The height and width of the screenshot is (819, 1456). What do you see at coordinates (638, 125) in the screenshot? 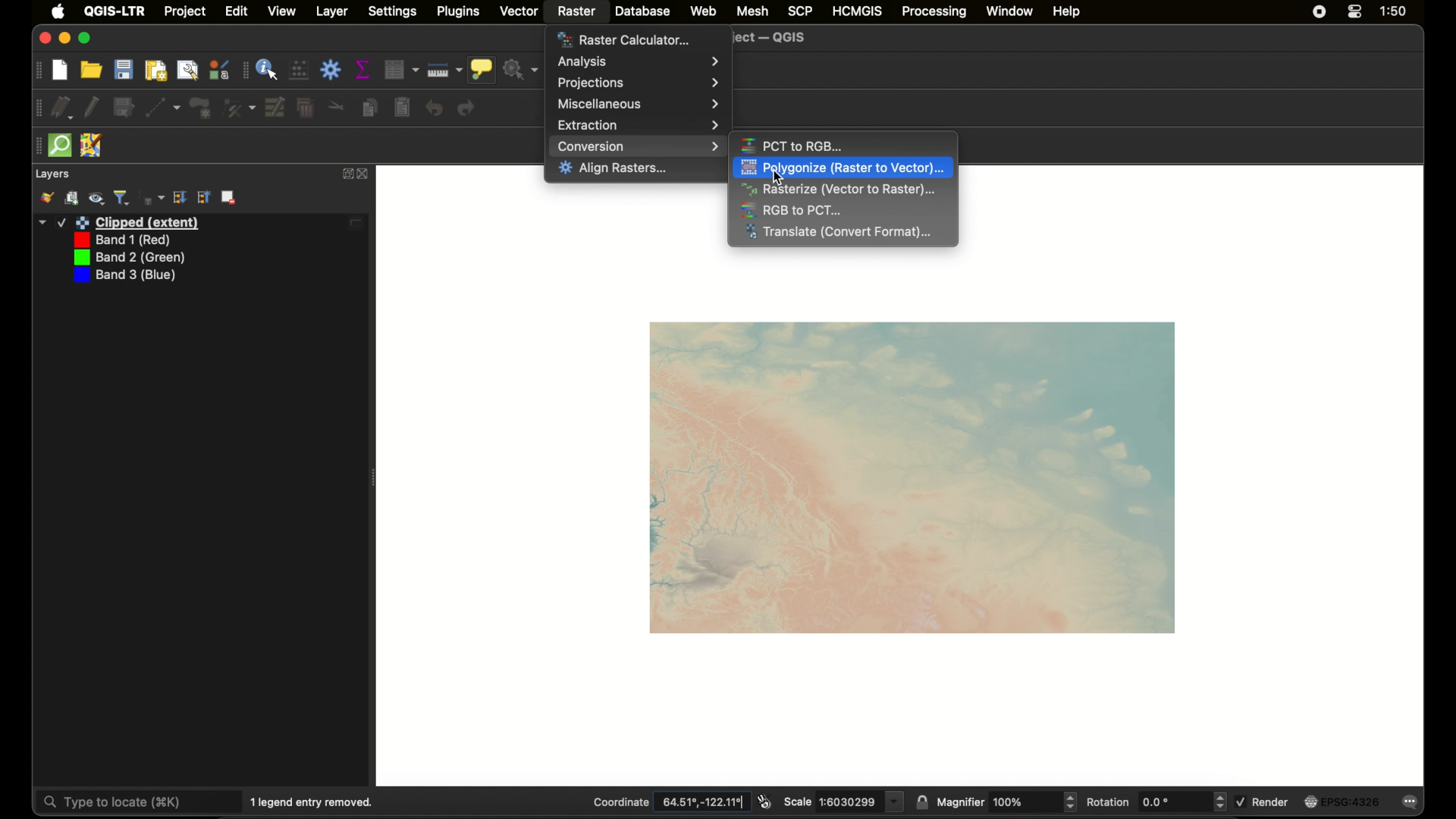
I see `extraction` at bounding box center [638, 125].